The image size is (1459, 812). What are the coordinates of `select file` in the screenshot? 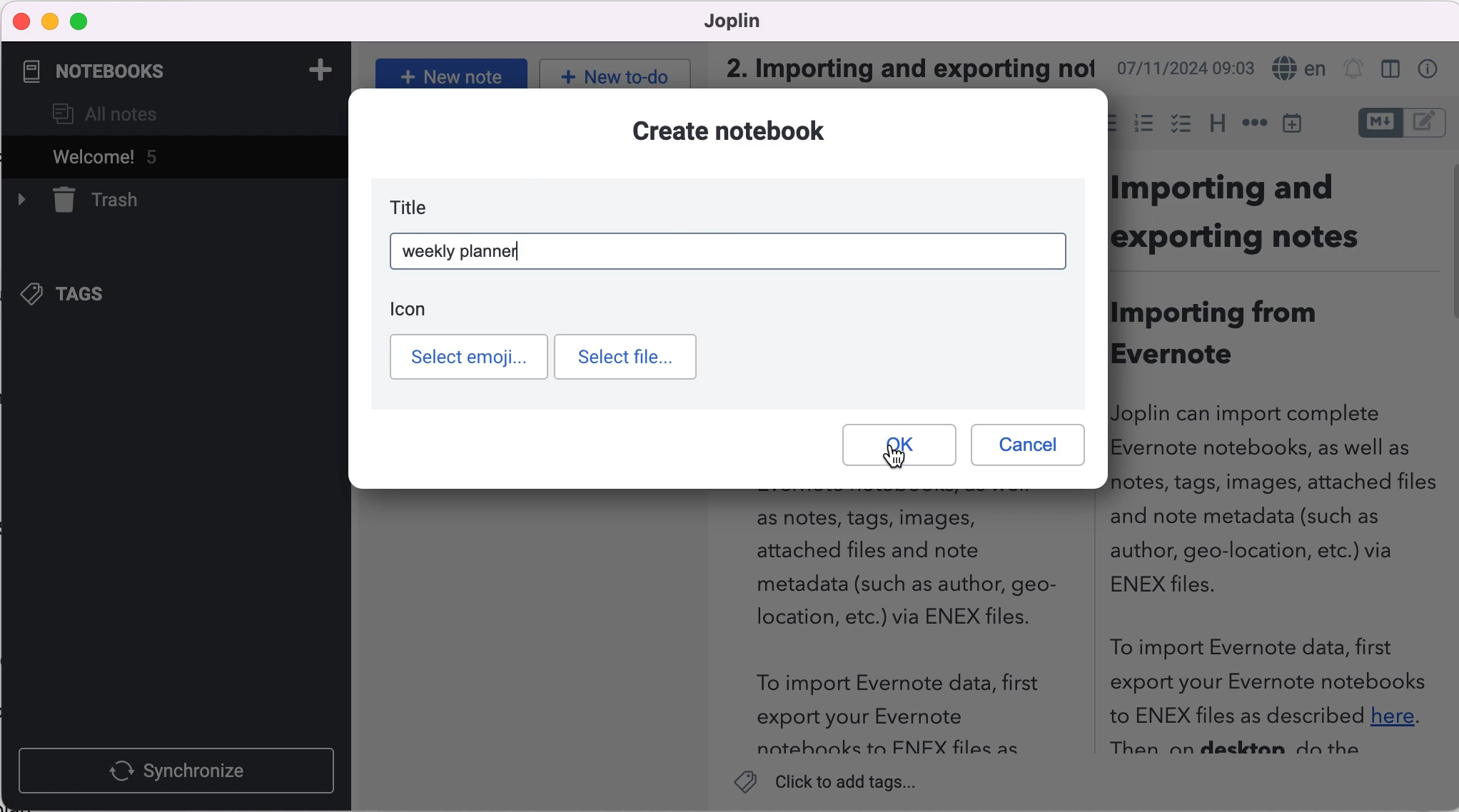 It's located at (627, 357).